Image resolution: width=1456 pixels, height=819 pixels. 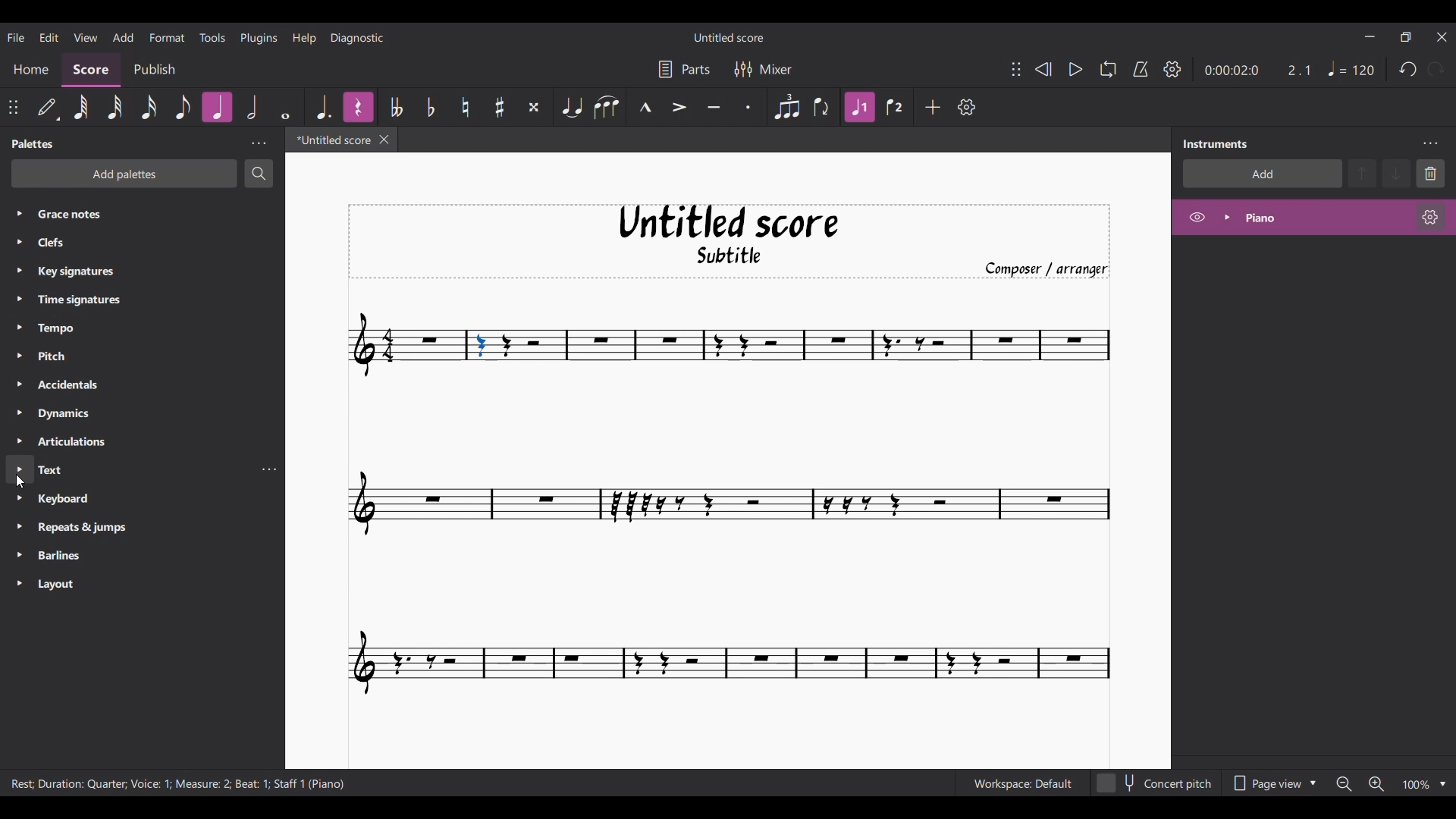 What do you see at coordinates (13, 107) in the screenshot?
I see `Change position of toolbar attached` at bounding box center [13, 107].